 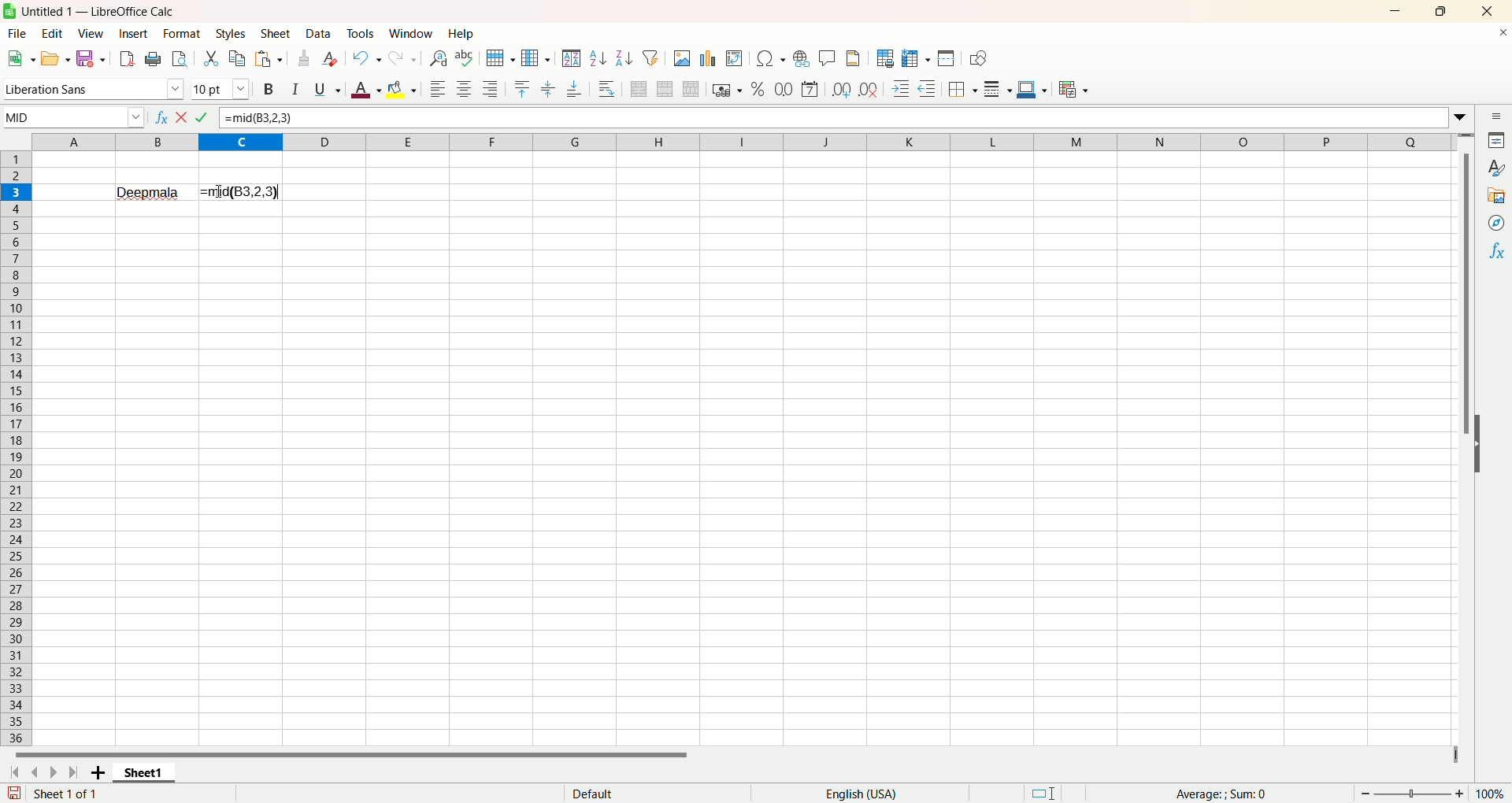 I want to click on Properties, so click(x=1498, y=141).